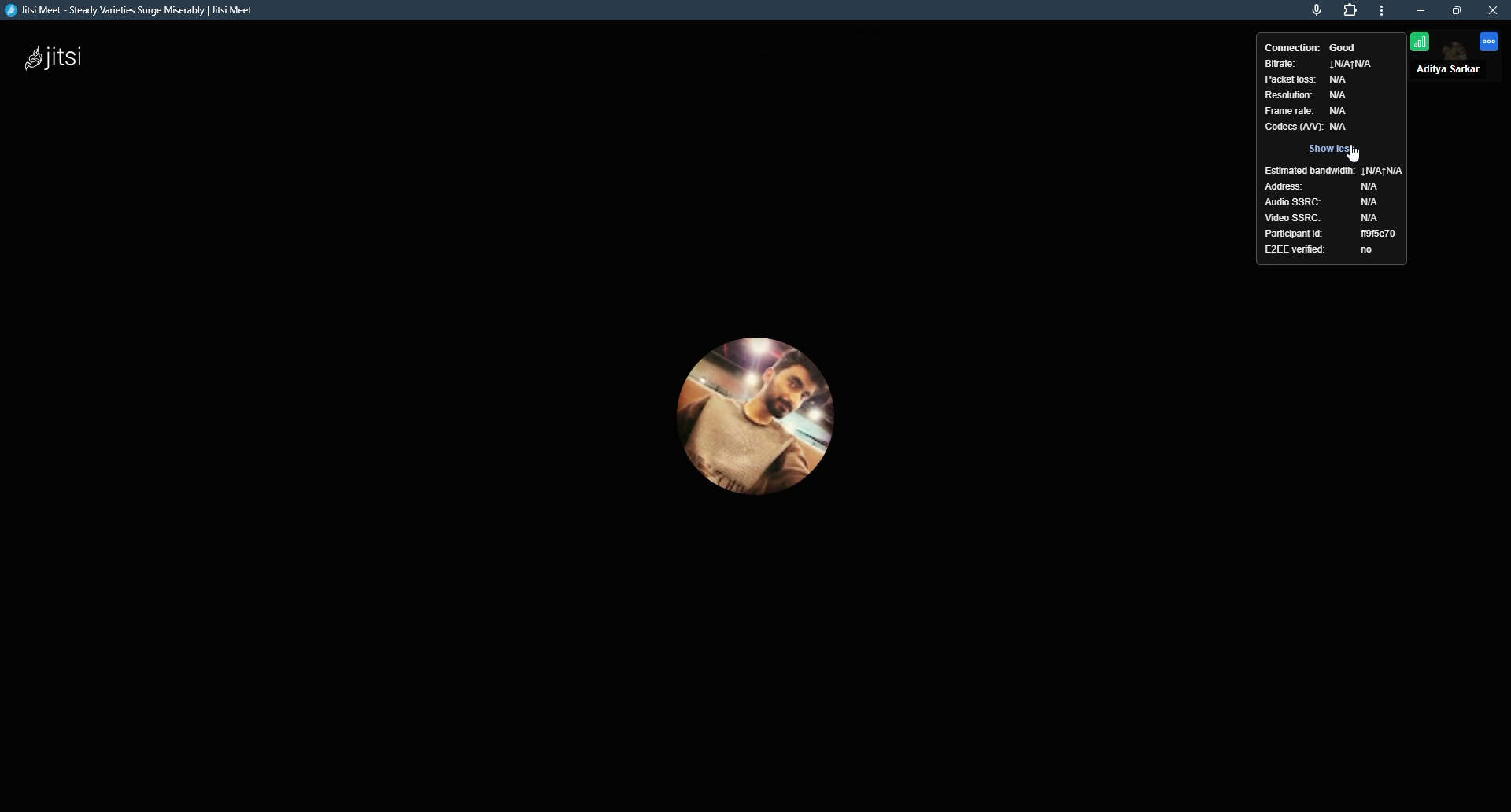  I want to click on na, so click(1342, 80).